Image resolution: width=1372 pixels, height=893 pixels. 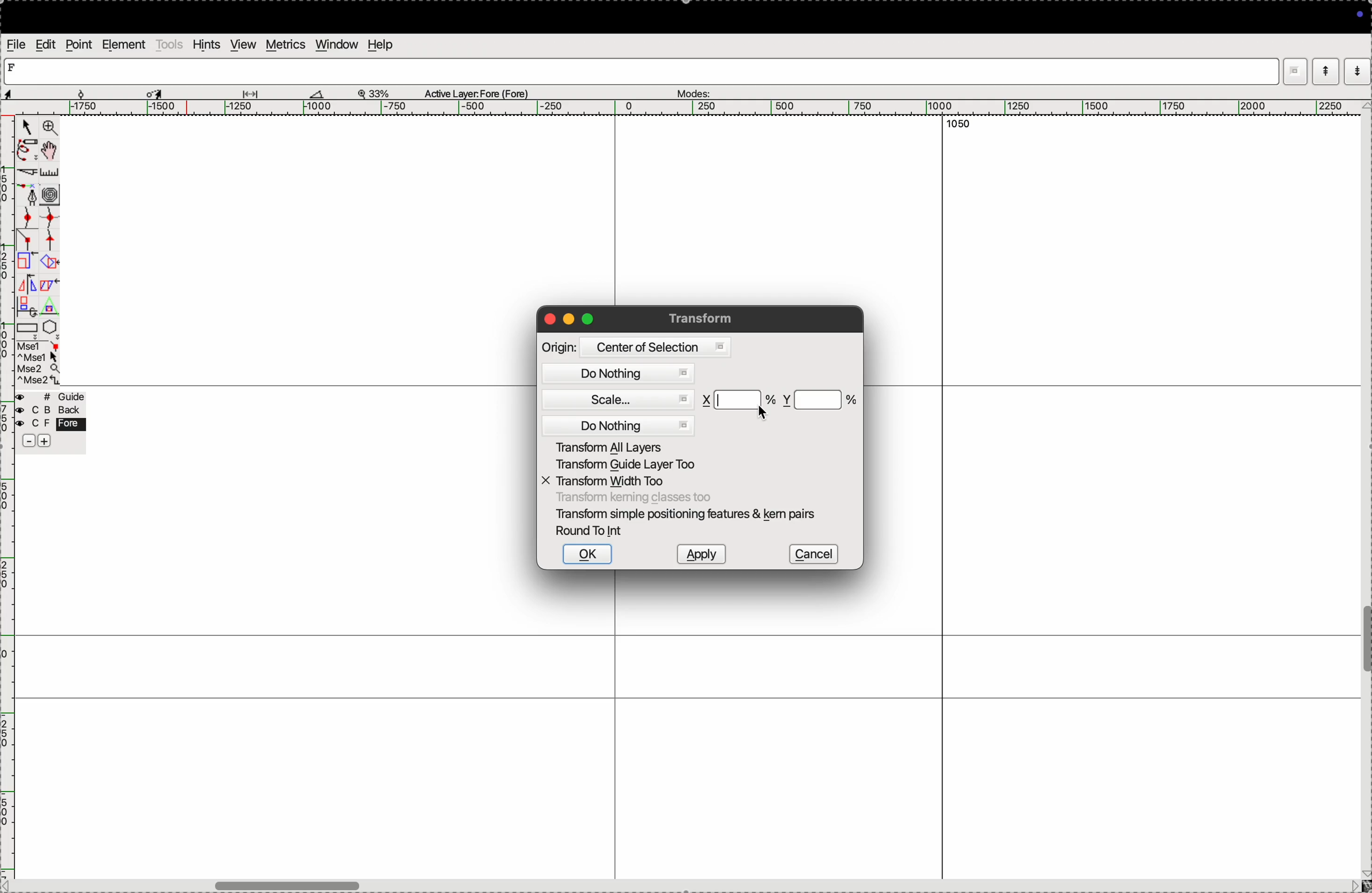 What do you see at coordinates (39, 363) in the screenshot?
I see `mse ` at bounding box center [39, 363].